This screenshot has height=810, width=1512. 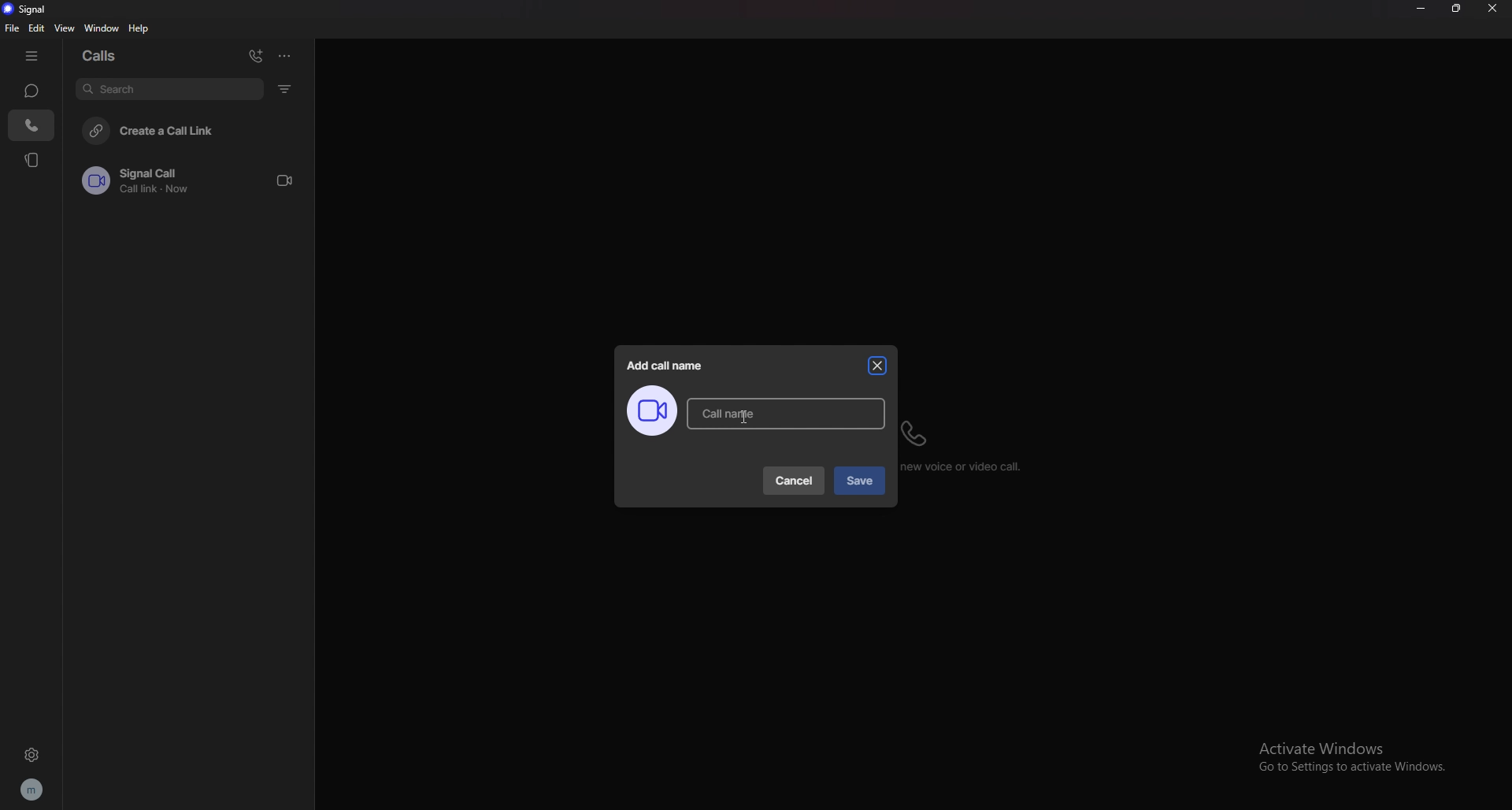 I want to click on calls, so click(x=105, y=54).